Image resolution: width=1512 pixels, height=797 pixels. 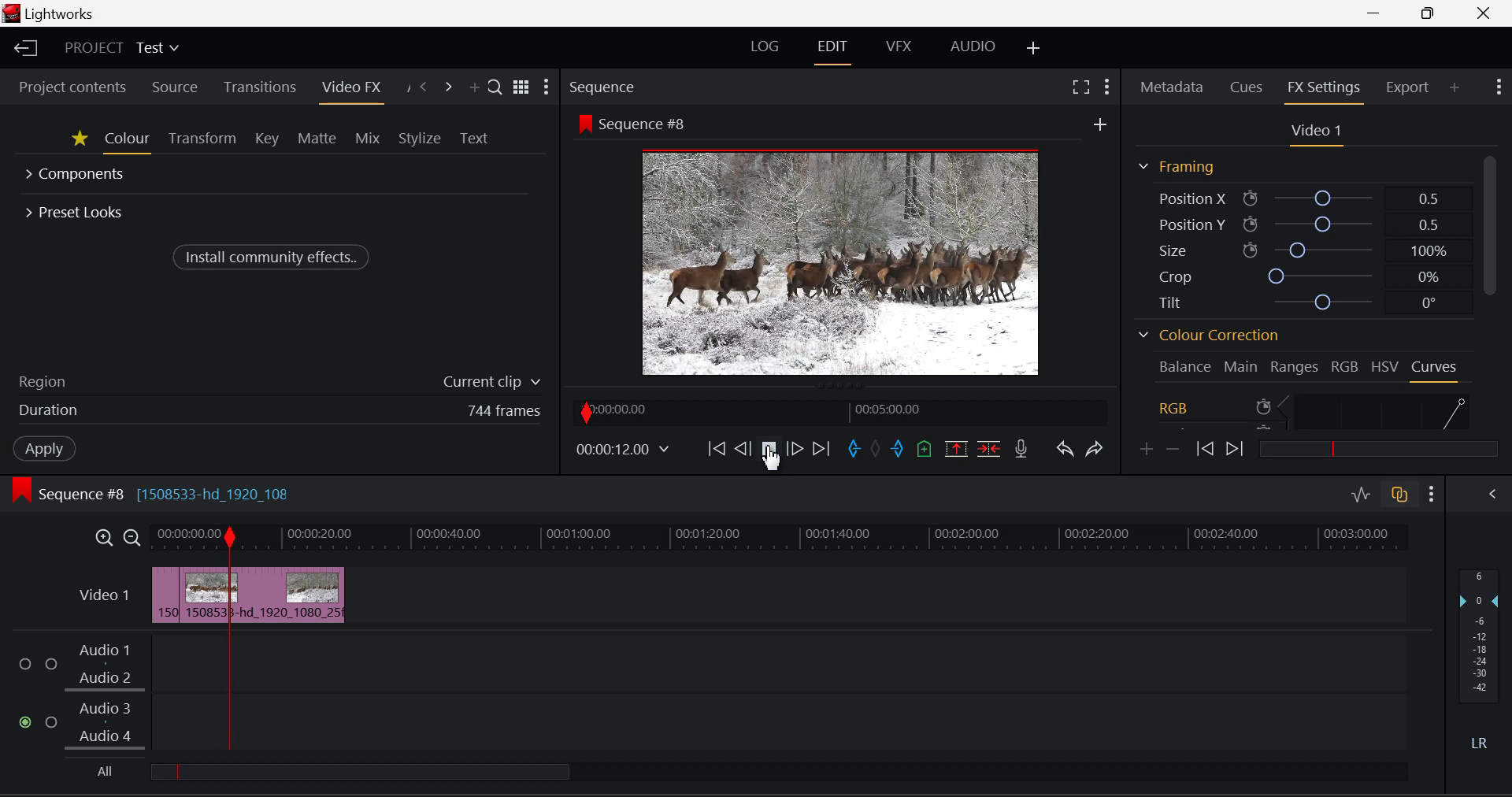 I want to click on Sequence Preview Section, so click(x=603, y=87).